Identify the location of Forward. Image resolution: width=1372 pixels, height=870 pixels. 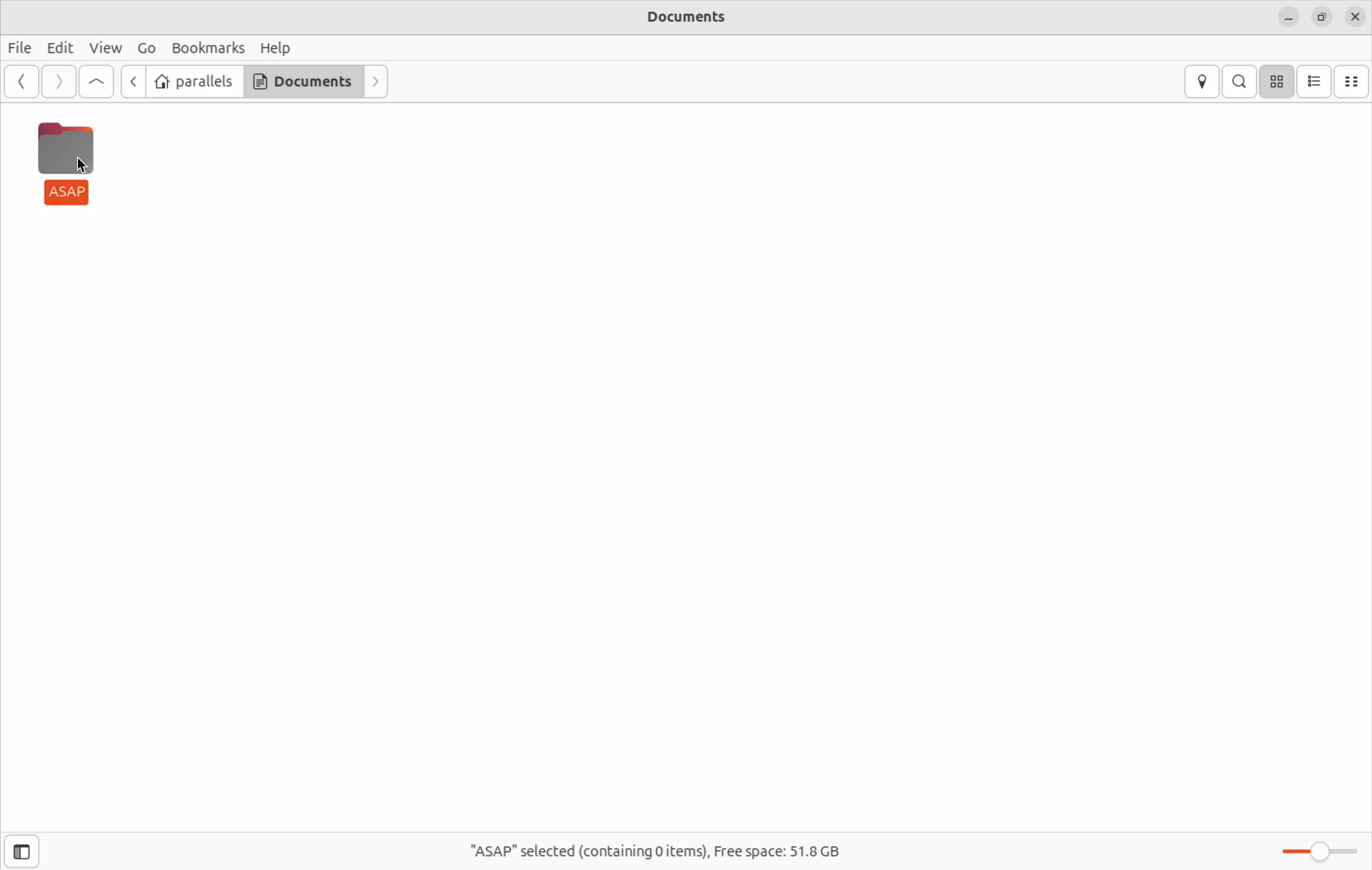
(59, 82).